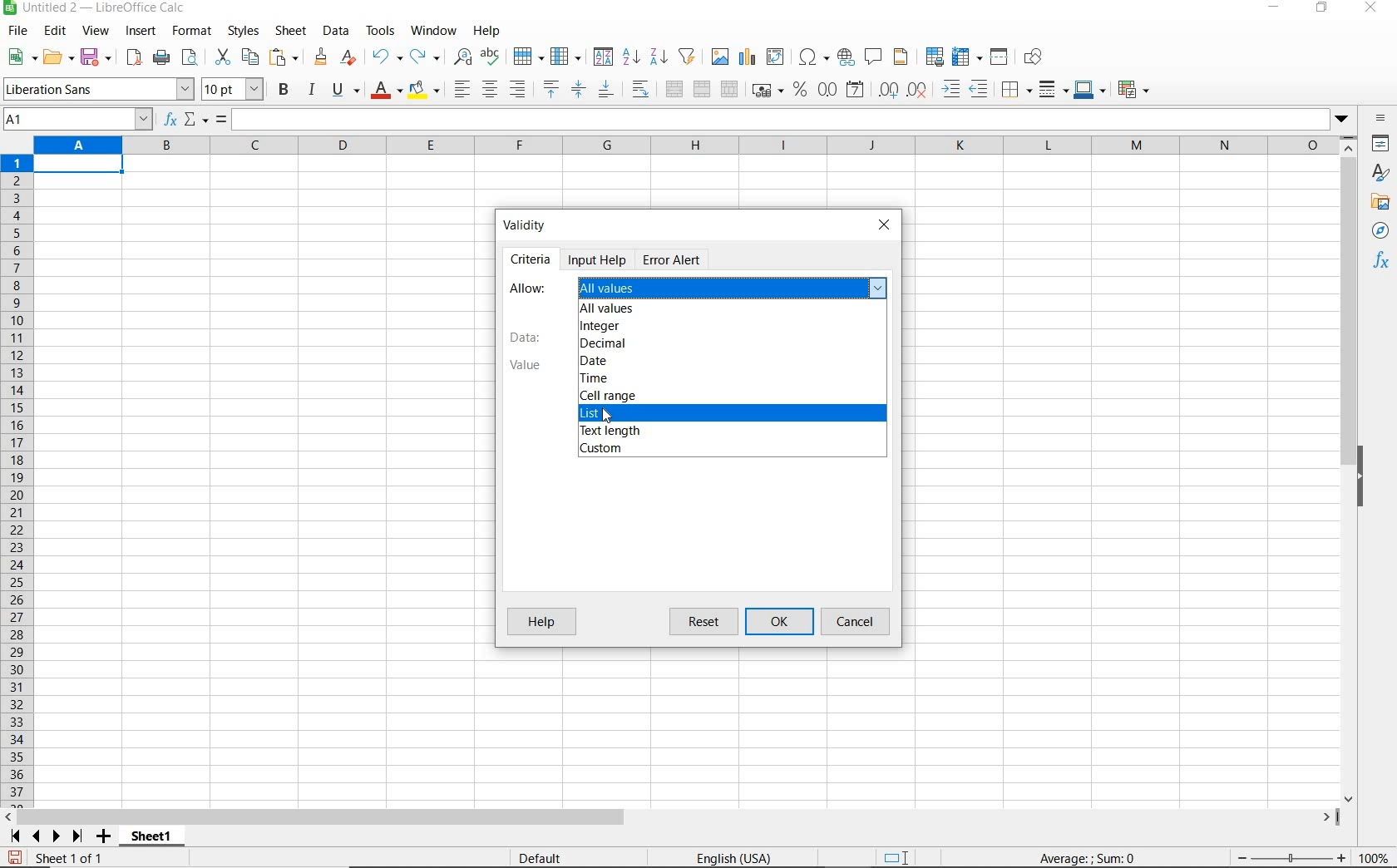 This screenshot has width=1397, height=868. What do you see at coordinates (388, 90) in the screenshot?
I see `font color` at bounding box center [388, 90].